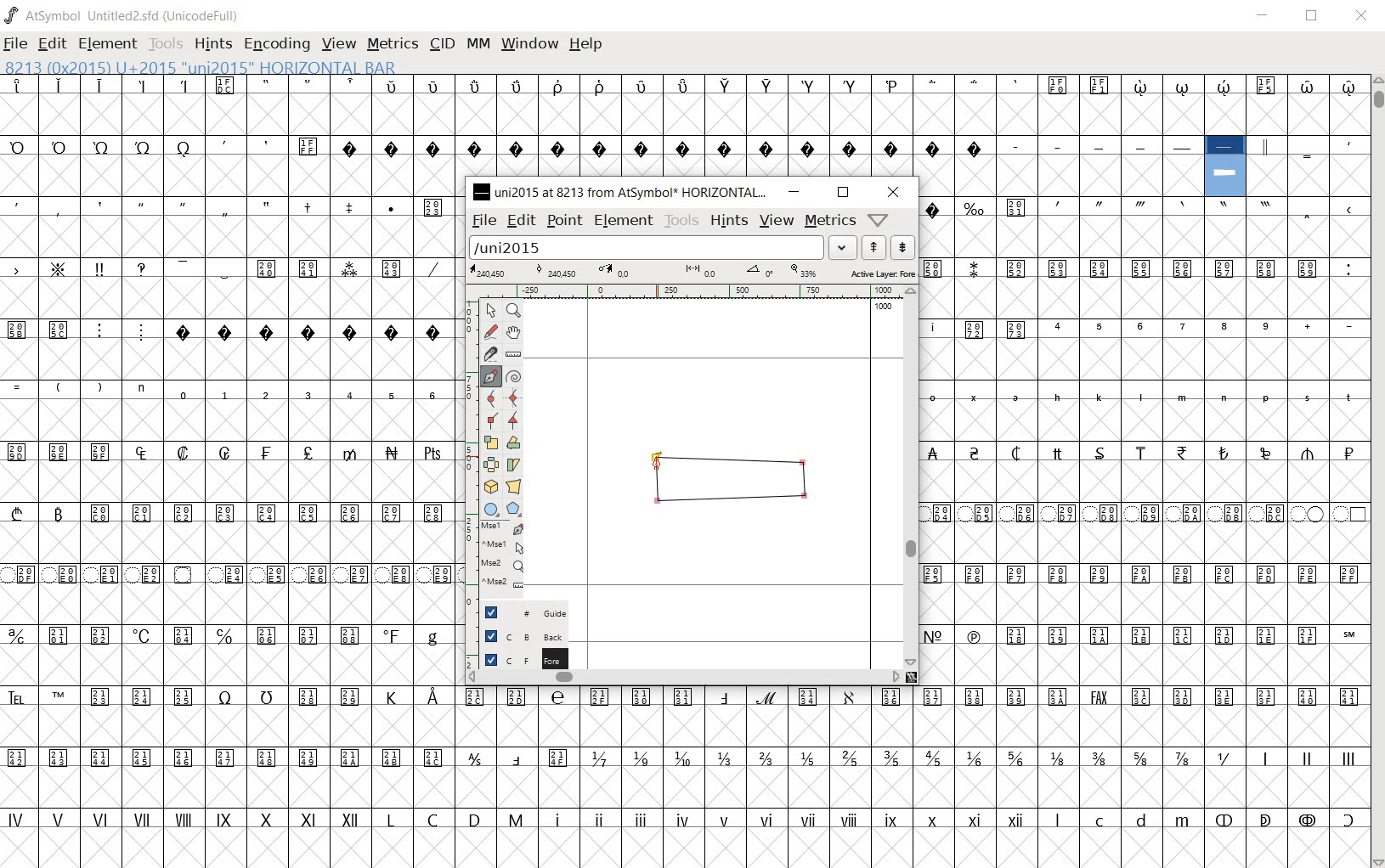 This screenshot has height=868, width=1385. What do you see at coordinates (228, 470) in the screenshot?
I see `GLYPHS` at bounding box center [228, 470].